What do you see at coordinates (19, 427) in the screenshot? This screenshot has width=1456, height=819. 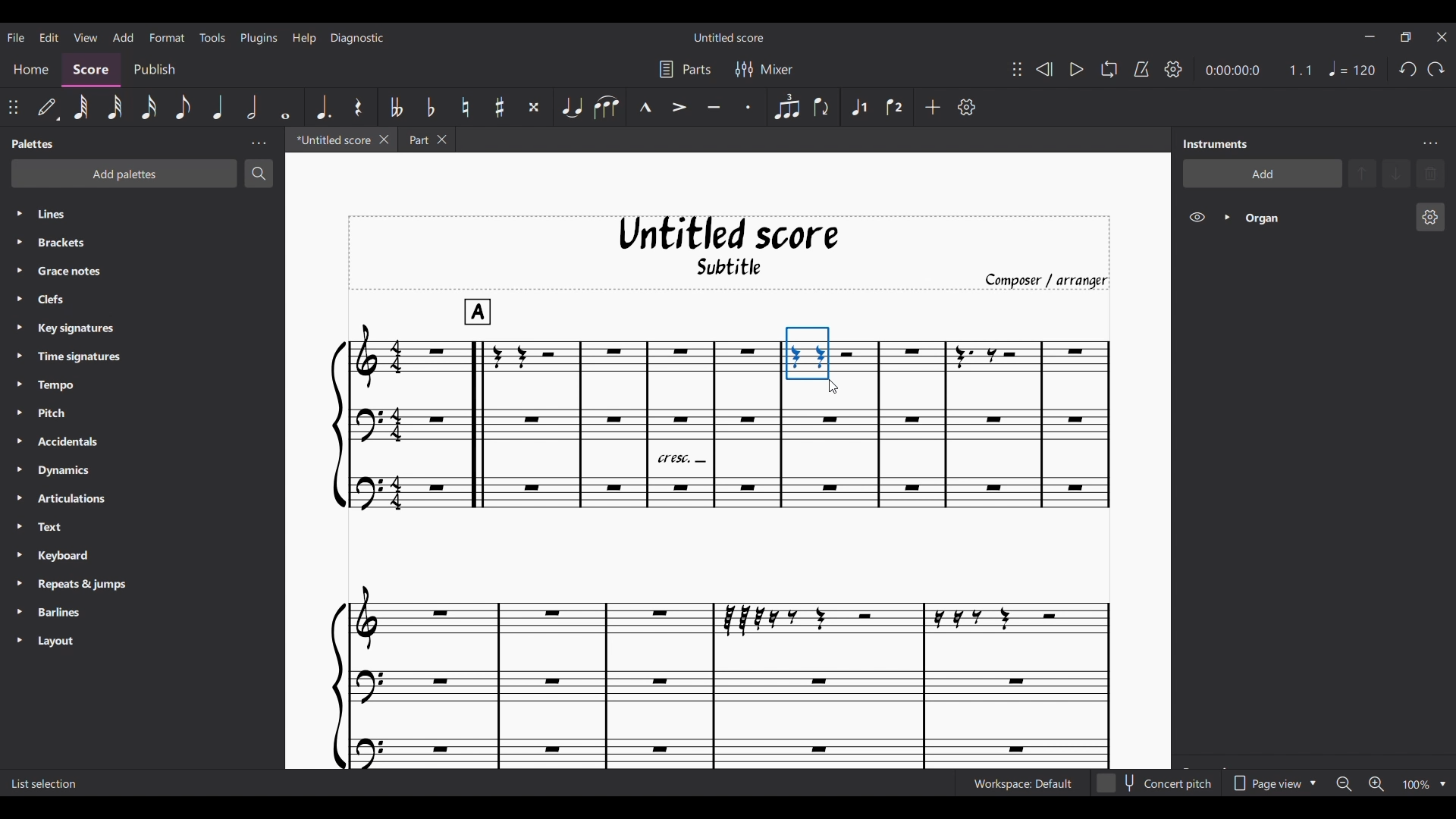 I see `Expand respective palette` at bounding box center [19, 427].